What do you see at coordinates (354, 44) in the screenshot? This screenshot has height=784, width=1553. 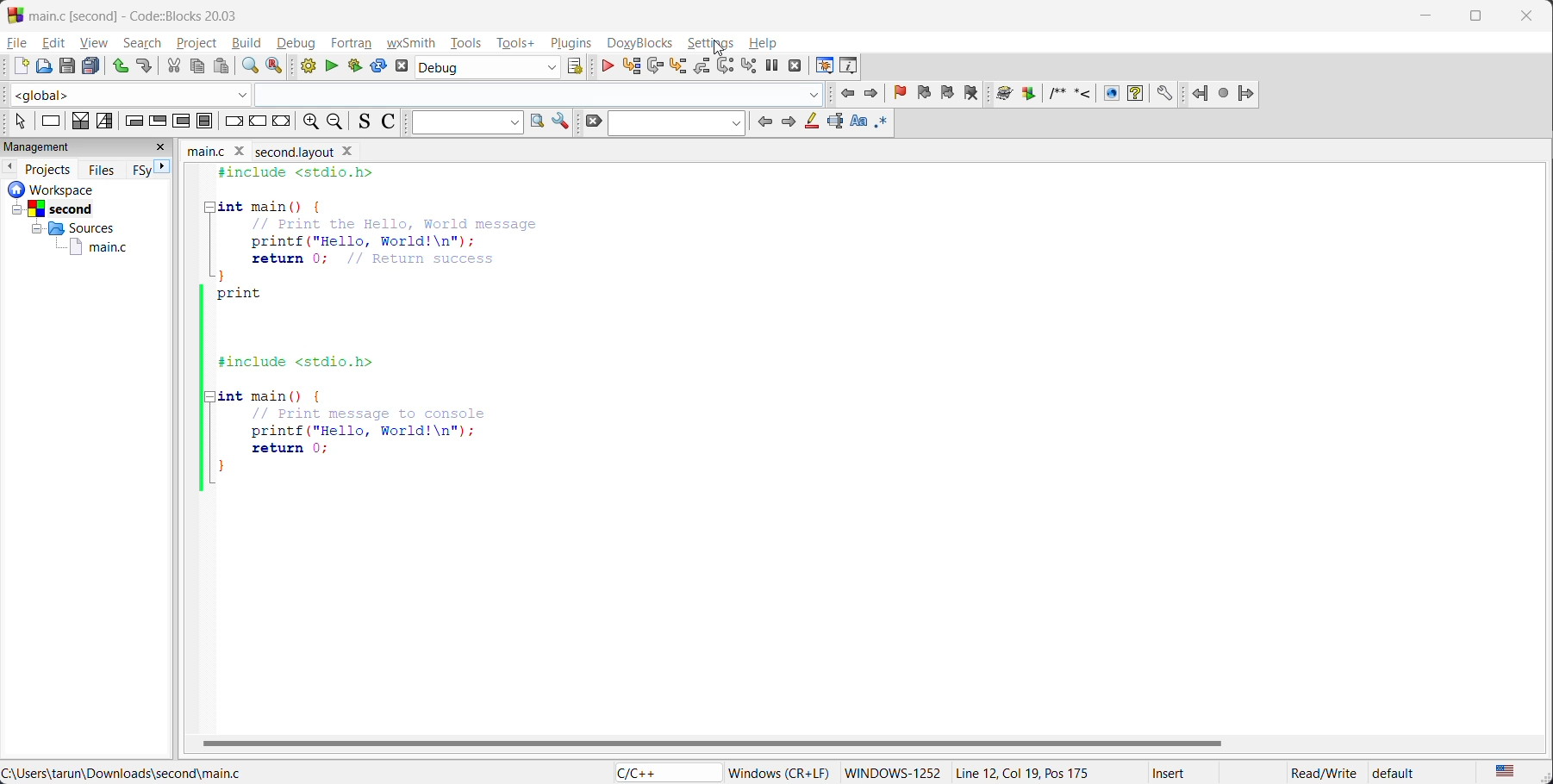 I see `fortran` at bounding box center [354, 44].